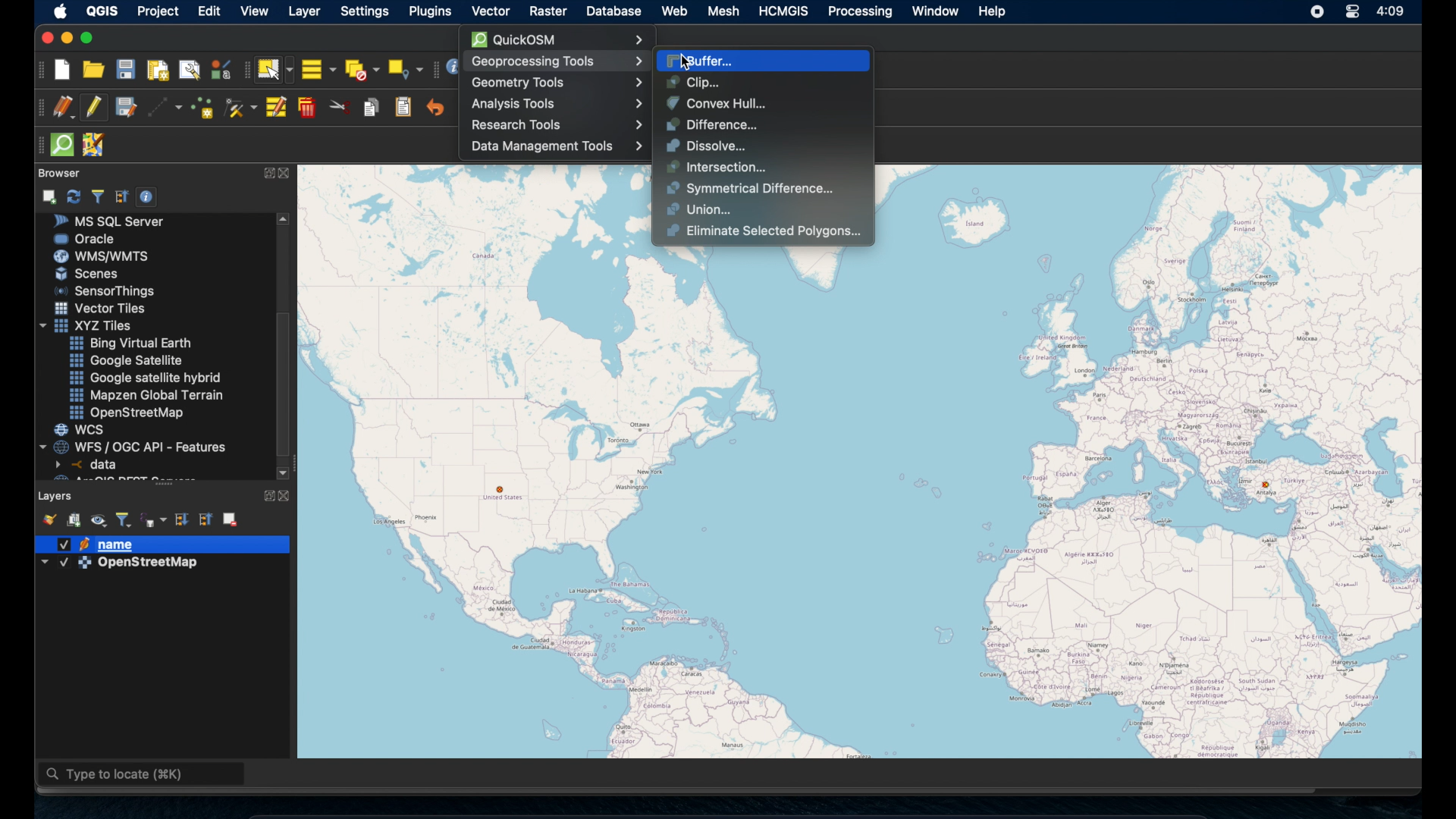  Describe the element at coordinates (934, 11) in the screenshot. I see `window` at that location.